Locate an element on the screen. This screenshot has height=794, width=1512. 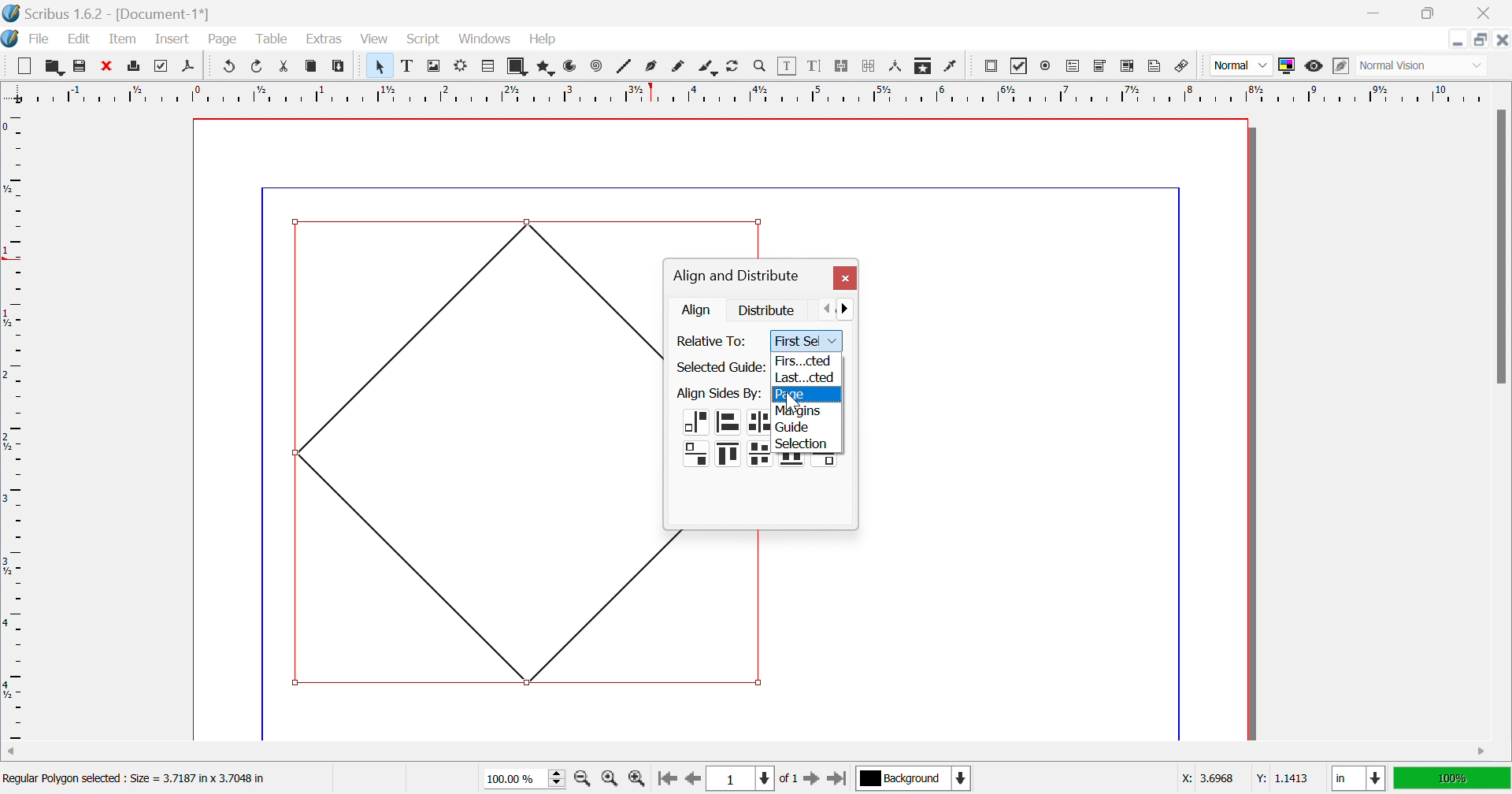
Spiral is located at coordinates (600, 65).